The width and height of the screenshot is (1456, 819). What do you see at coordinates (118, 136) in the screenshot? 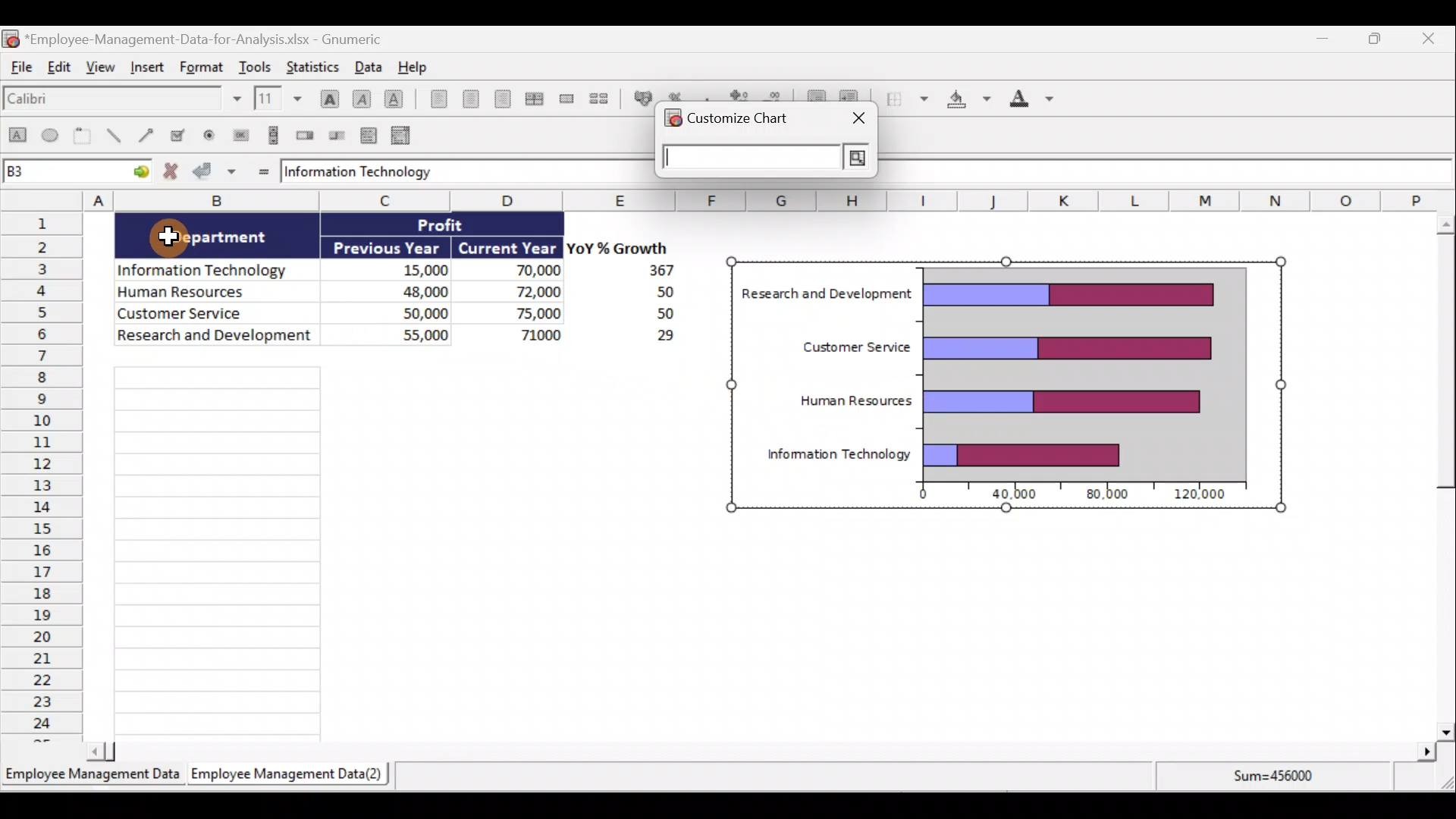
I see `Create a line object` at bounding box center [118, 136].